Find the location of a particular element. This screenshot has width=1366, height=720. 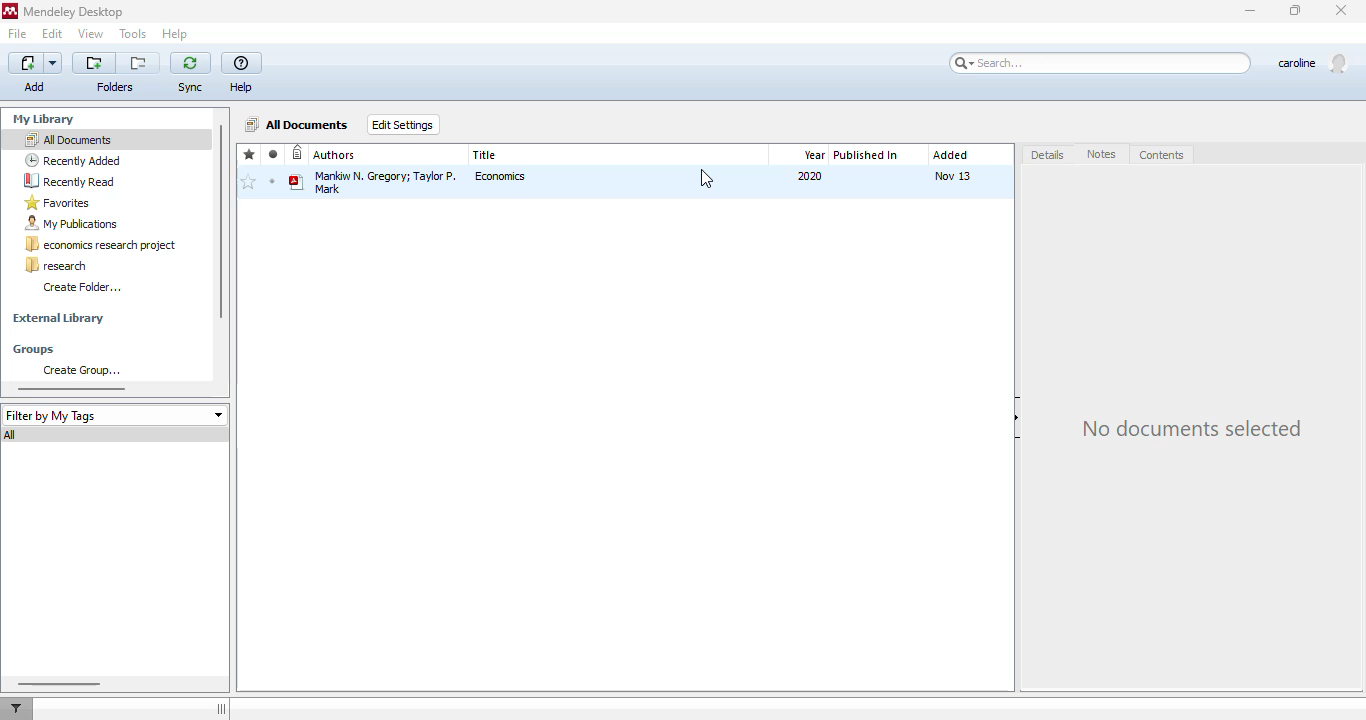

title is located at coordinates (486, 155).